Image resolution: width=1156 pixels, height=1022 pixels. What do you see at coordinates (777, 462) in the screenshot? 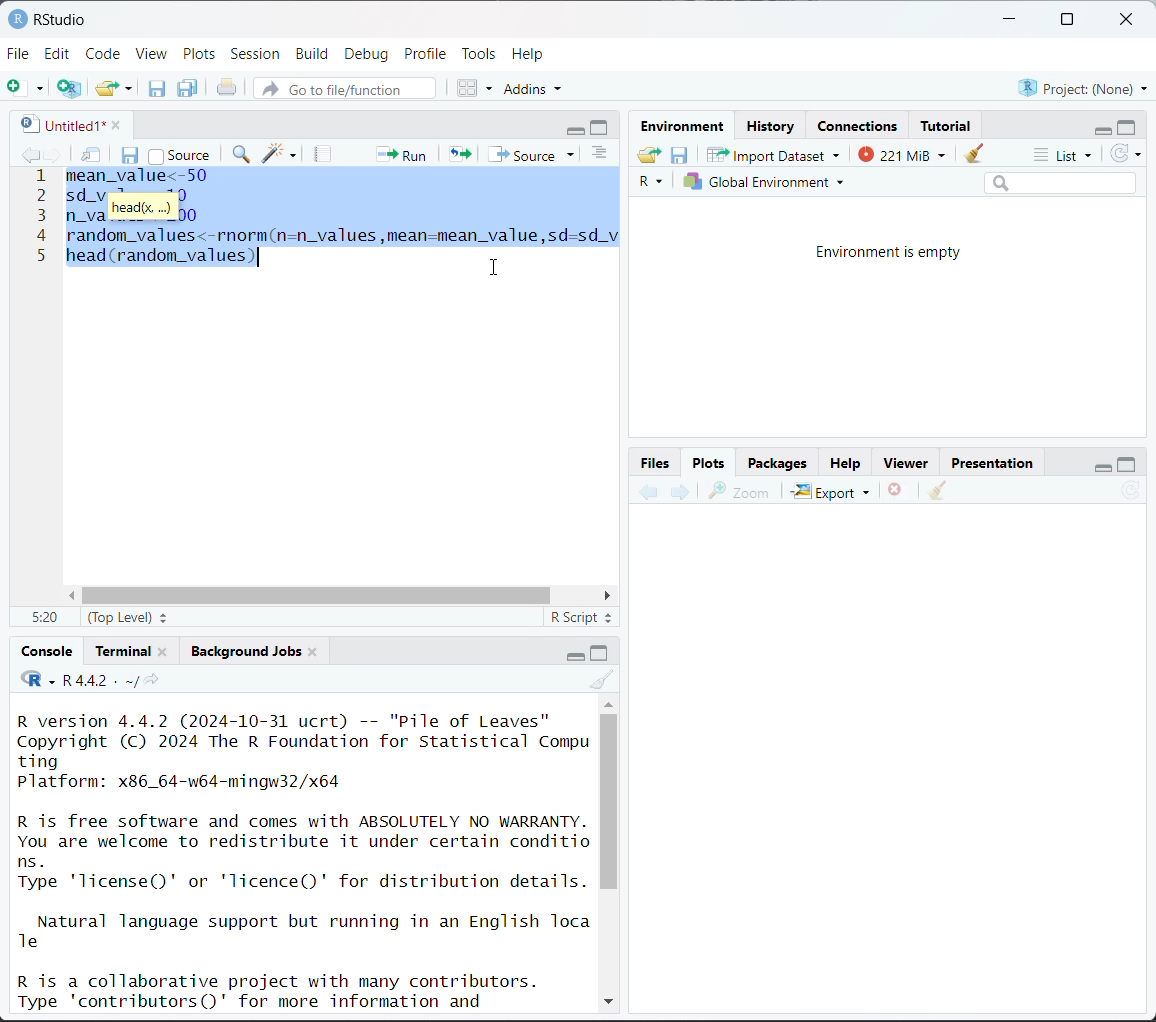
I see `Packages` at bounding box center [777, 462].